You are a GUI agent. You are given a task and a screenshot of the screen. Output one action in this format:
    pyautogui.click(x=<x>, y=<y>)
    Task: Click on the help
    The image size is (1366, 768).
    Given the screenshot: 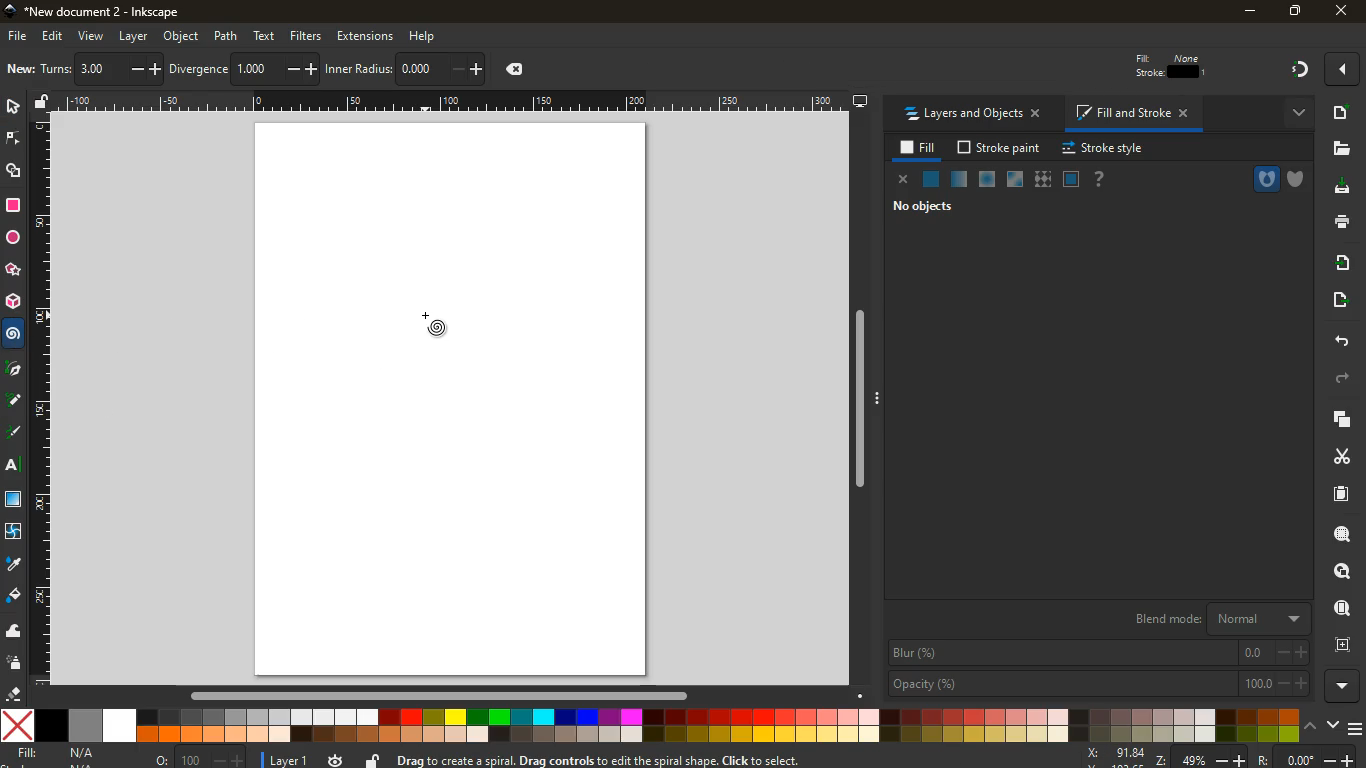 What is the action you would take?
    pyautogui.click(x=1101, y=180)
    